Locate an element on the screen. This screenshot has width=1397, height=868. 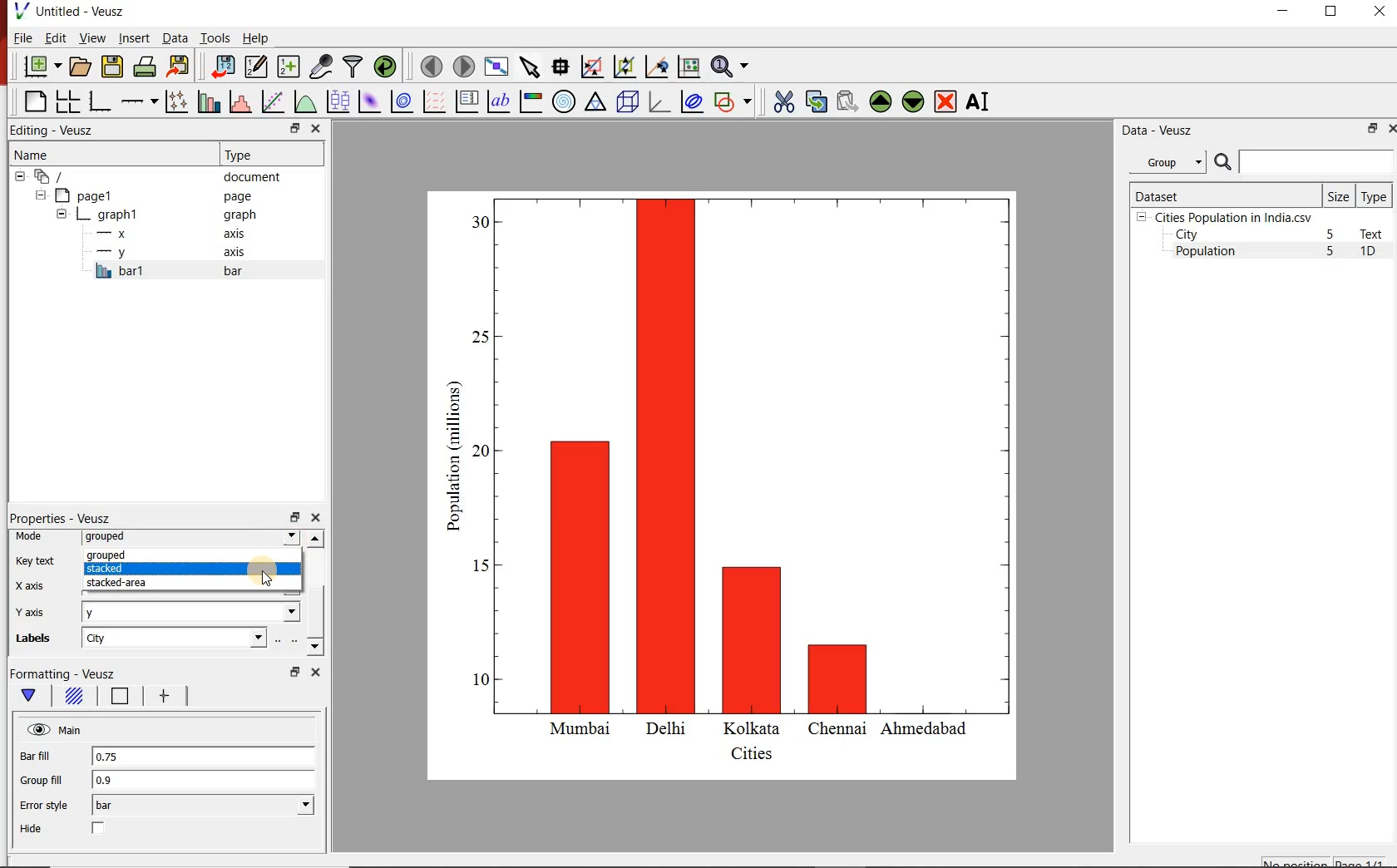
plot key is located at coordinates (466, 101).